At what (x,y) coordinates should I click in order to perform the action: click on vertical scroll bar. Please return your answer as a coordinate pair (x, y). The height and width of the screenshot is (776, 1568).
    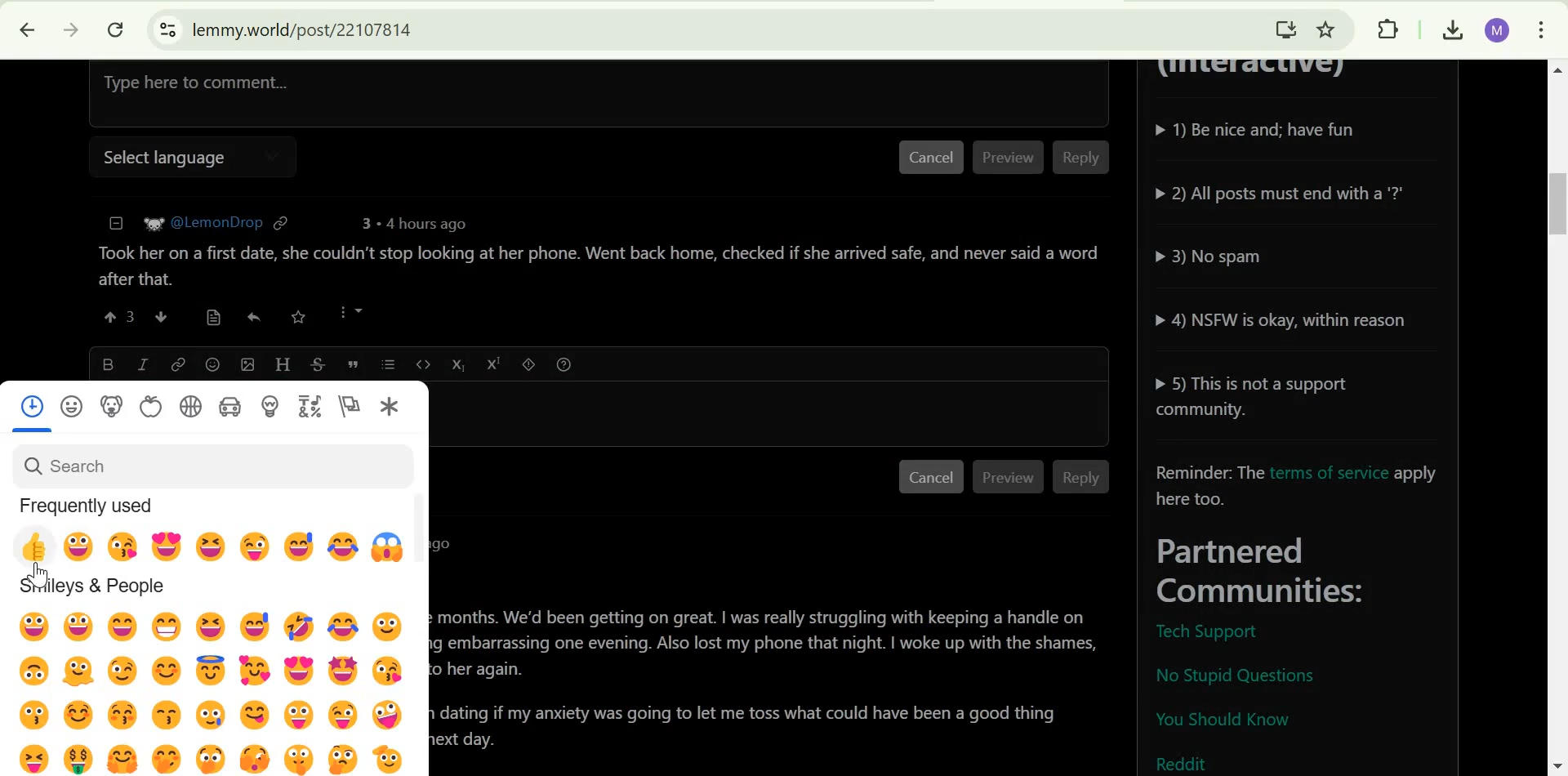
    Looking at the image, I should click on (424, 525).